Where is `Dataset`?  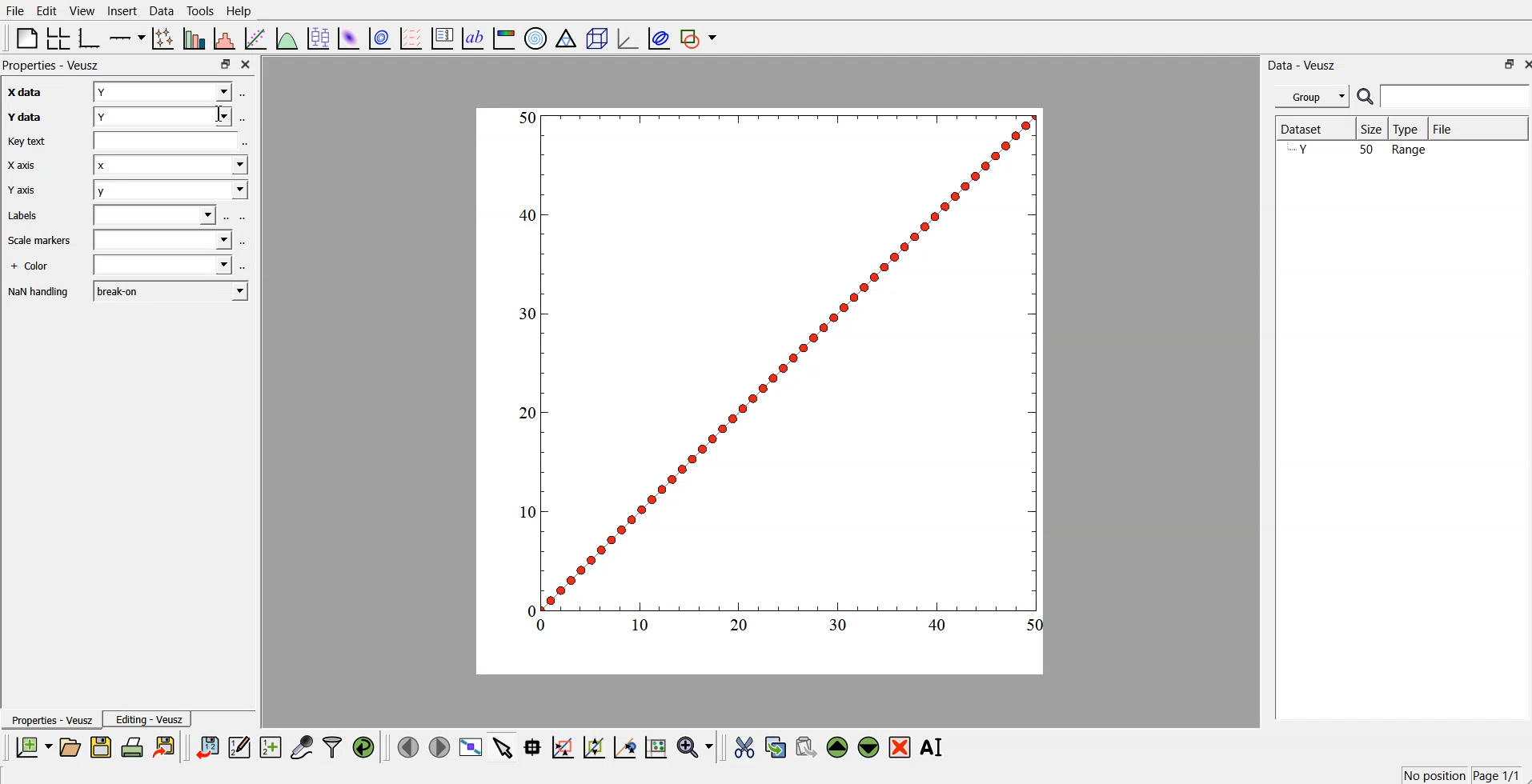 Dataset is located at coordinates (1307, 126).